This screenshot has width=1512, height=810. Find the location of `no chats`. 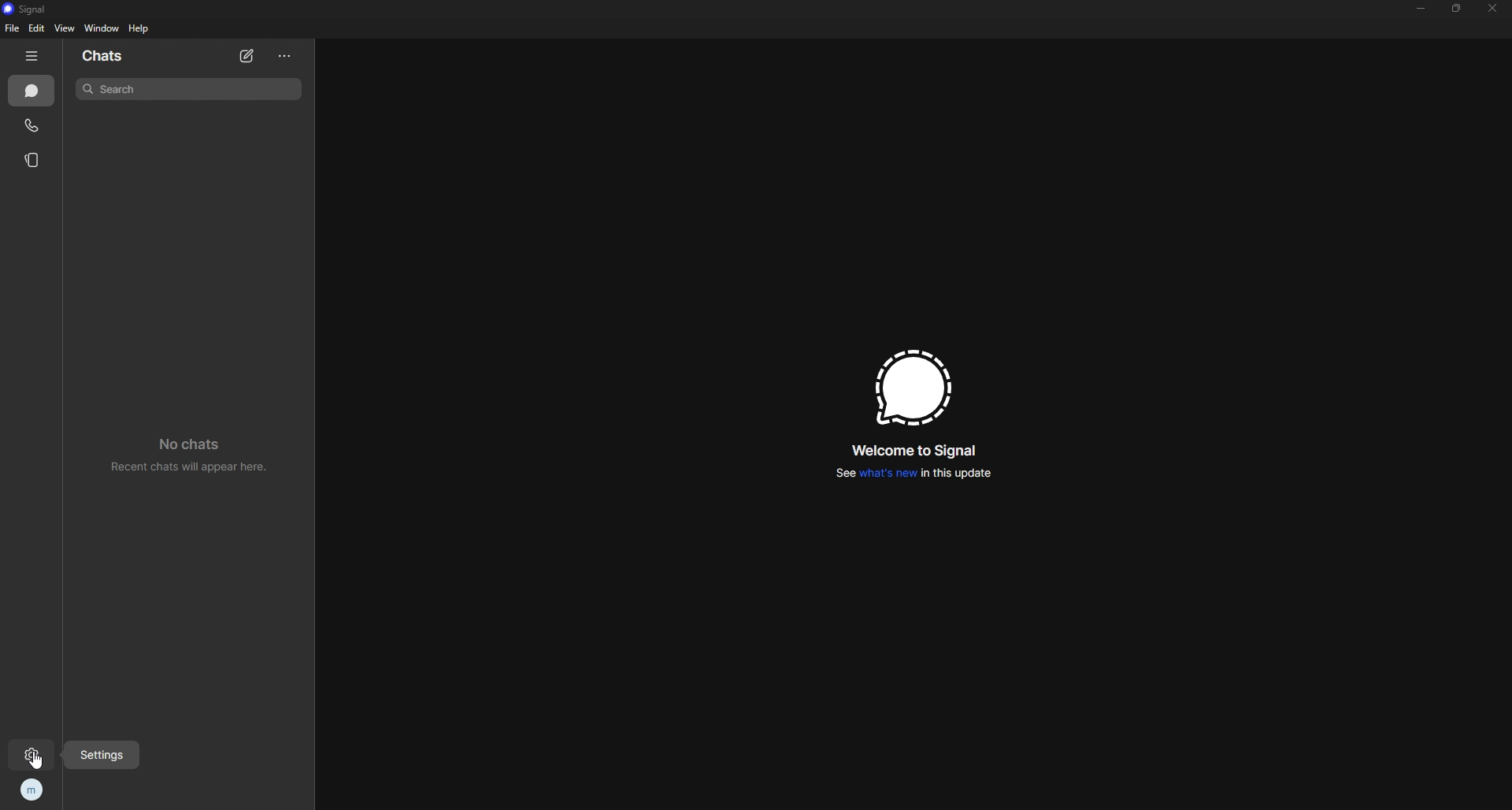

no chats is located at coordinates (187, 454).